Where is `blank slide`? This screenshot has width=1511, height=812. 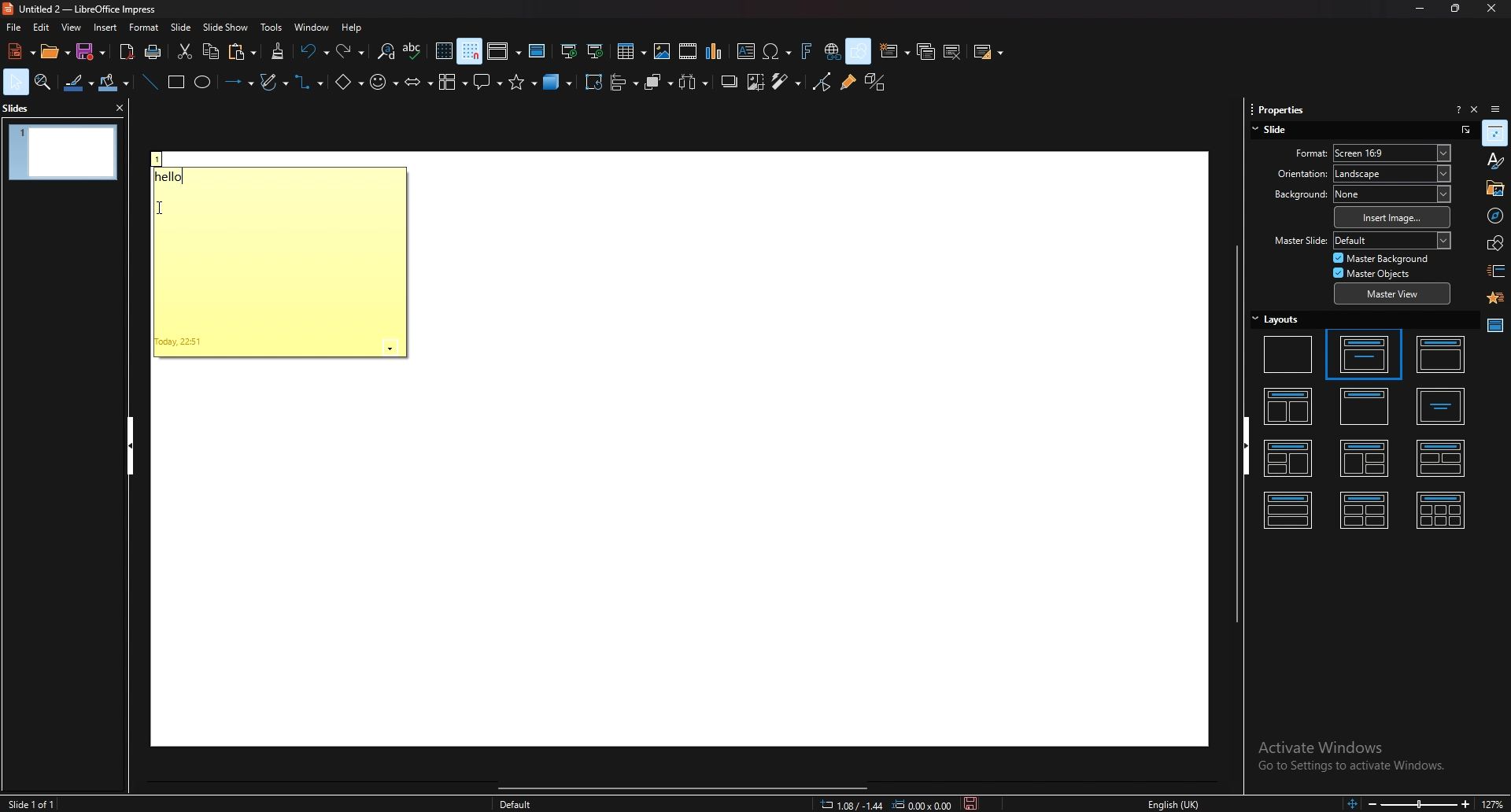
blank slide is located at coordinates (1289, 353).